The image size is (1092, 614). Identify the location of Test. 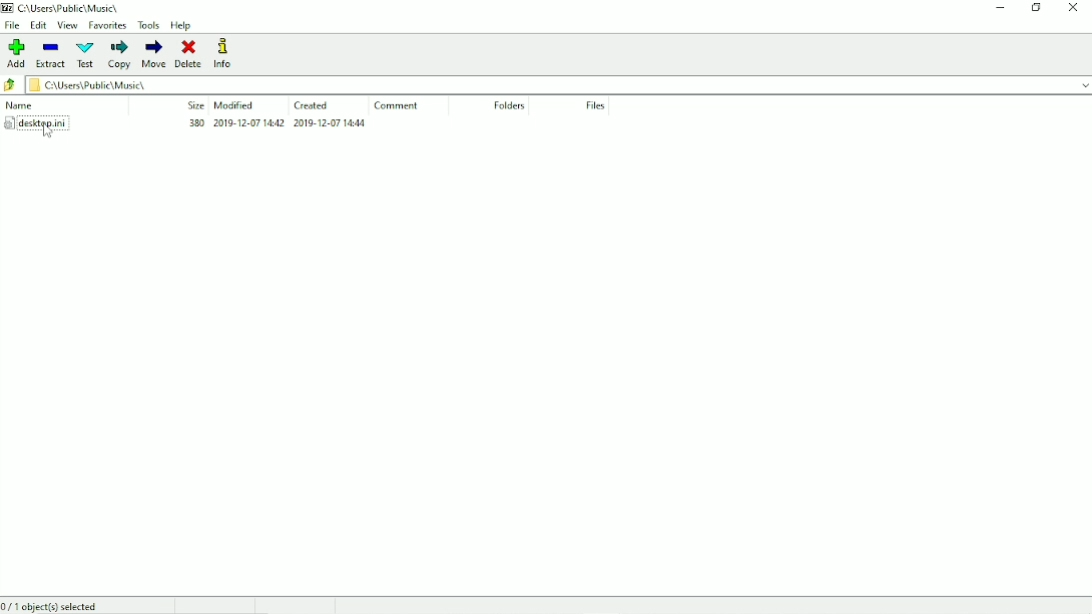
(86, 55).